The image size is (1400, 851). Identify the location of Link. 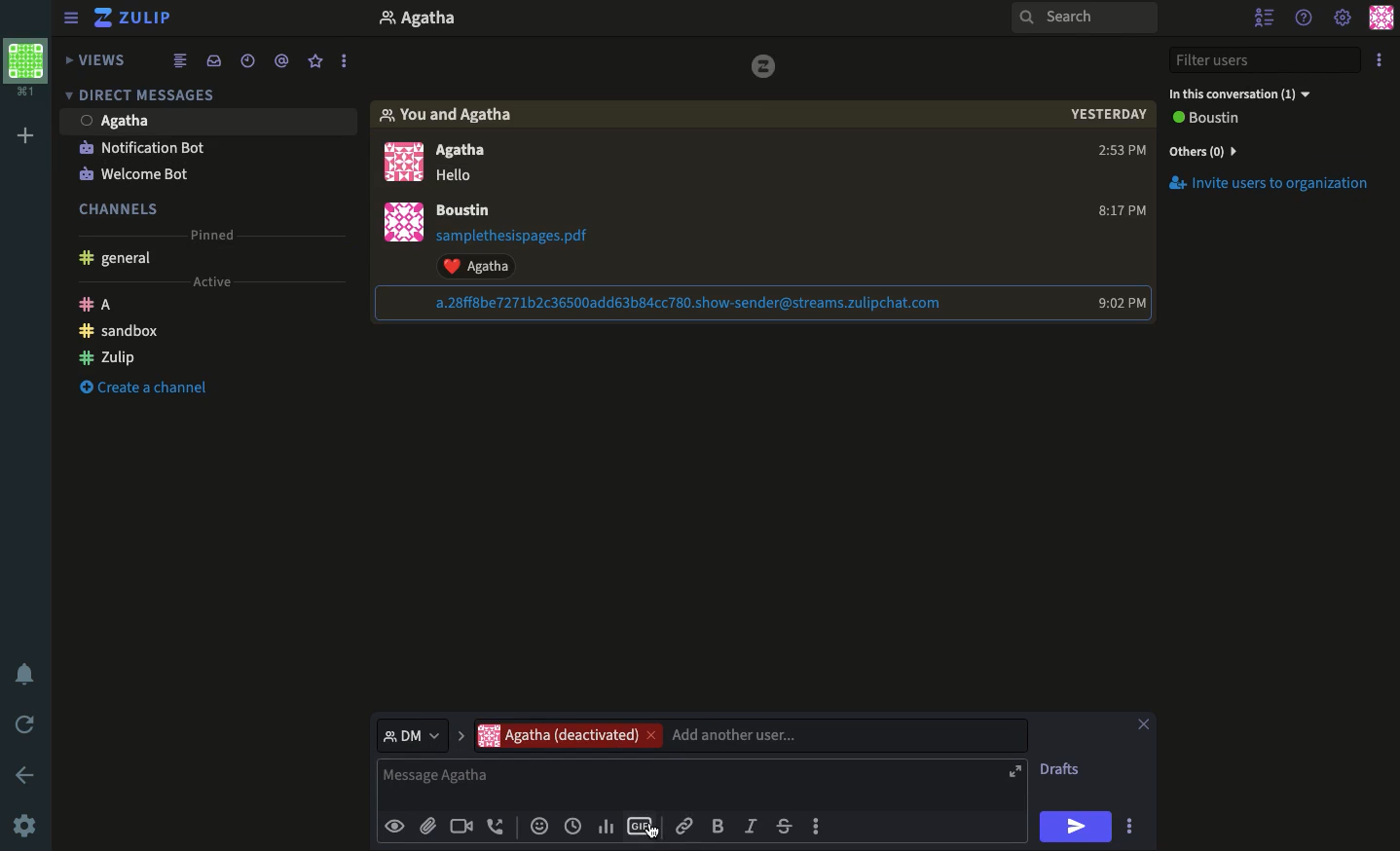
(687, 827).